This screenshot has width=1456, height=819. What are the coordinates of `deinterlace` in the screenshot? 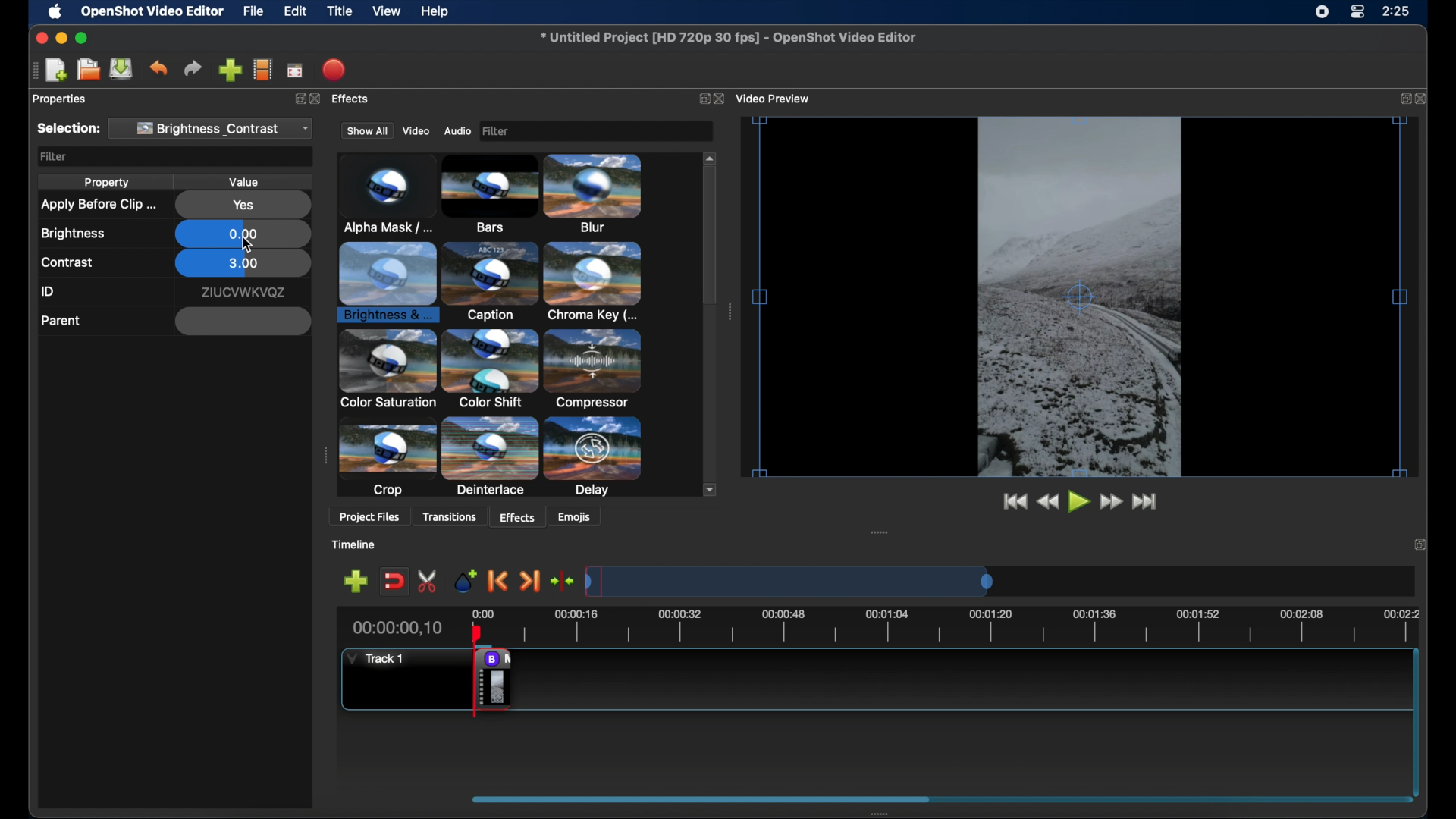 It's located at (491, 369).